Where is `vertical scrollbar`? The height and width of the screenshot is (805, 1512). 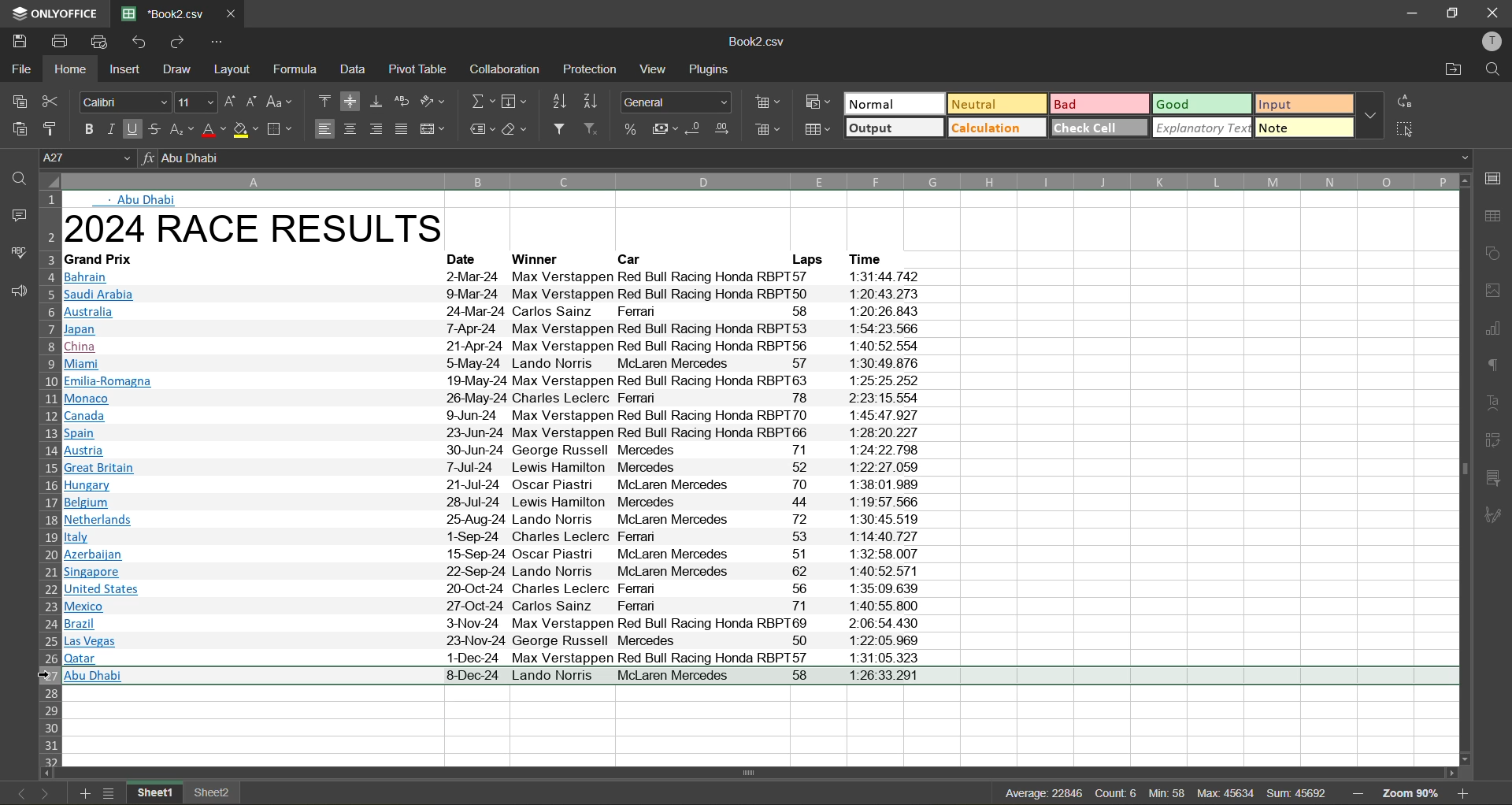
vertical scrollbar is located at coordinates (1461, 466).